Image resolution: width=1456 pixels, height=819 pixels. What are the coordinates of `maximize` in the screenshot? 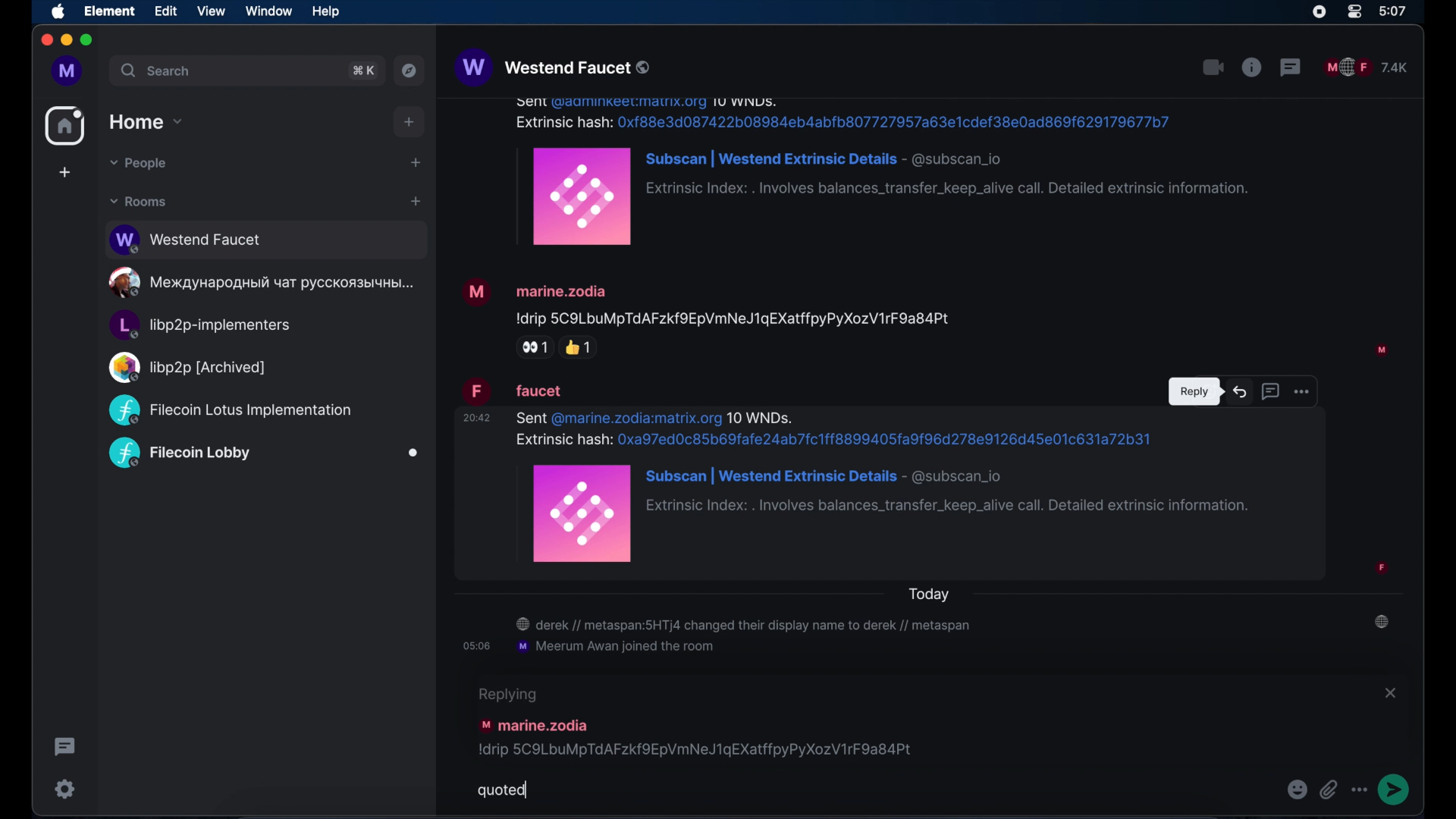 It's located at (88, 40).